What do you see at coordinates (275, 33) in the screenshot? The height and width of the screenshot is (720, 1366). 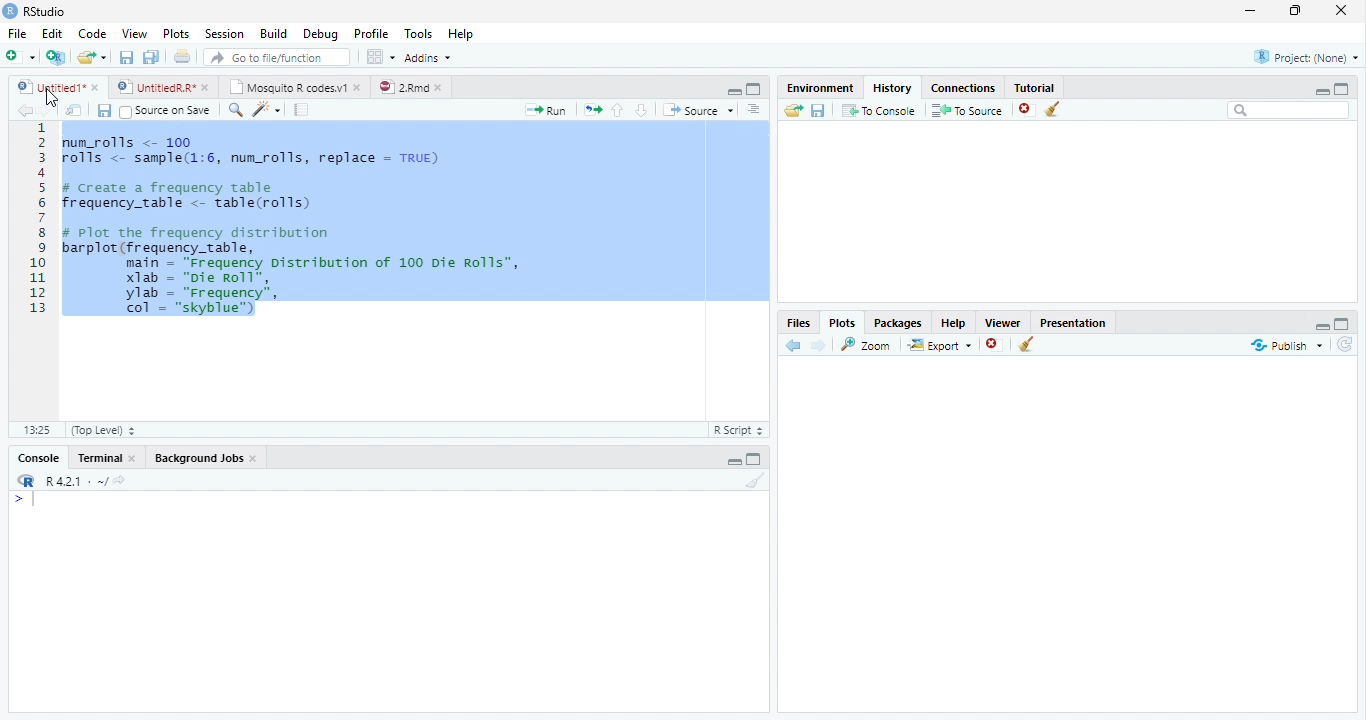 I see `Build` at bounding box center [275, 33].